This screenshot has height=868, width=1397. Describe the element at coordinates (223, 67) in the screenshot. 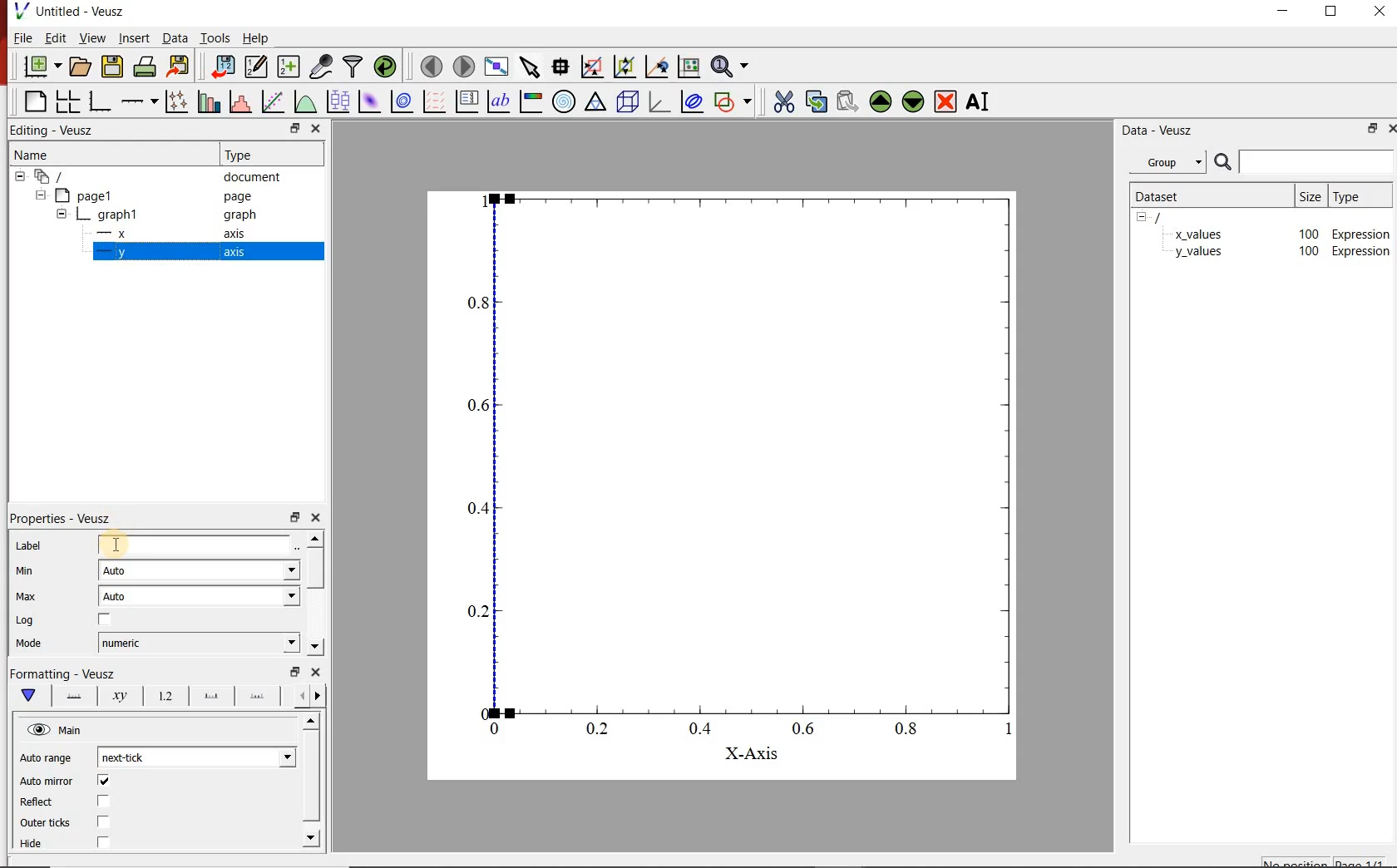

I see `import data into veusz` at that location.